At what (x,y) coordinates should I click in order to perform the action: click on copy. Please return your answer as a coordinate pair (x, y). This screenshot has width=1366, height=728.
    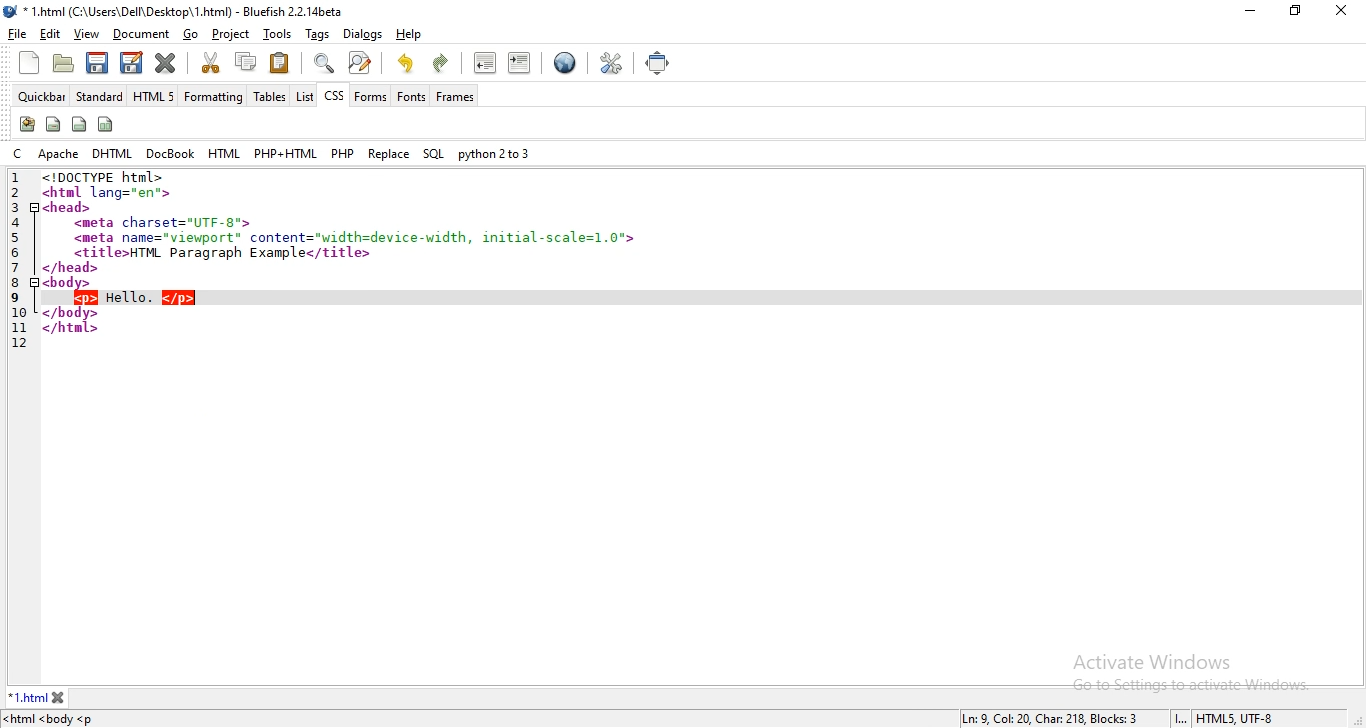
    Looking at the image, I should click on (244, 61).